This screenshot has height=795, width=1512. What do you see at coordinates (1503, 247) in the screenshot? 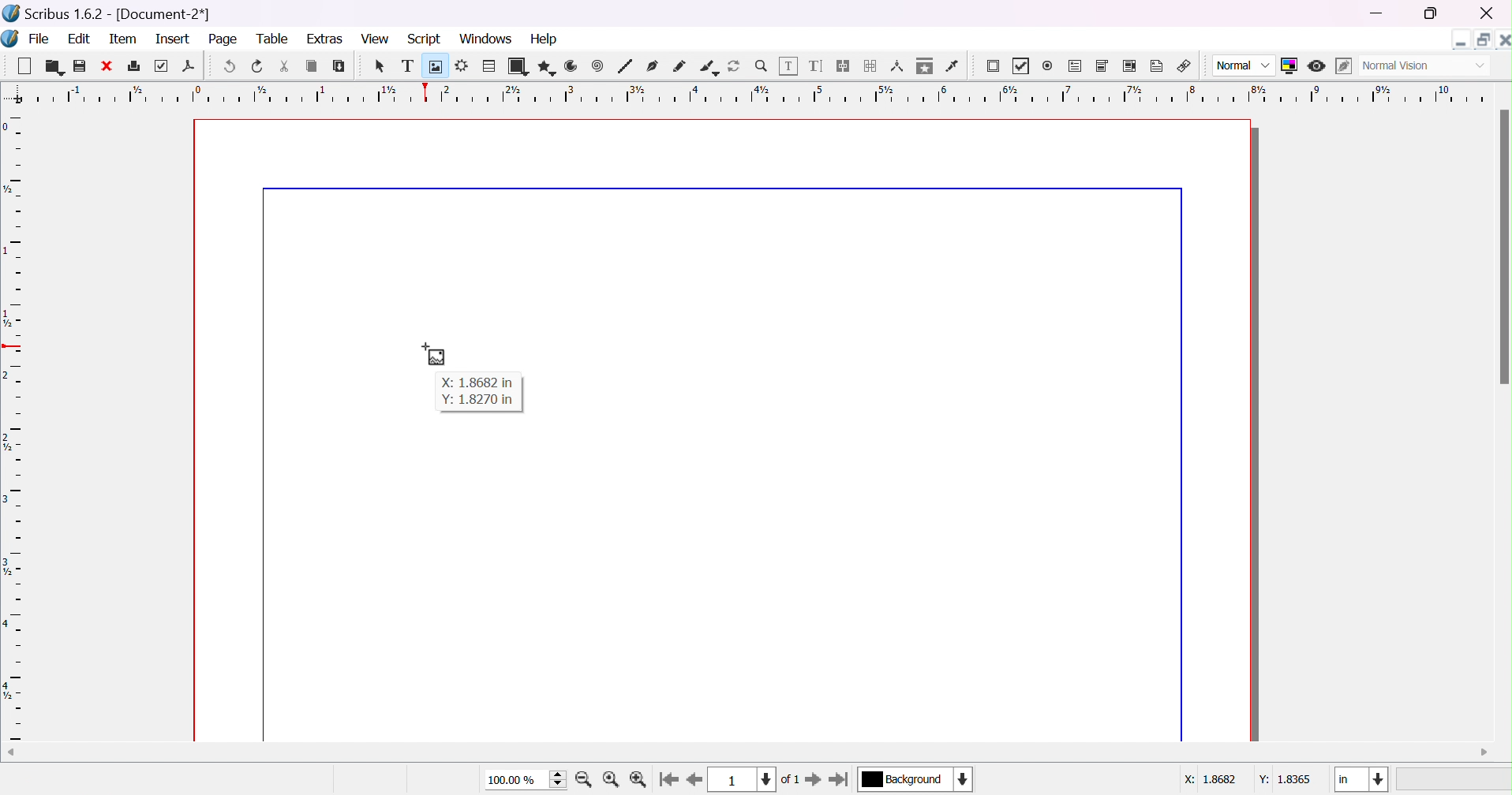
I see `scroll bar` at bounding box center [1503, 247].